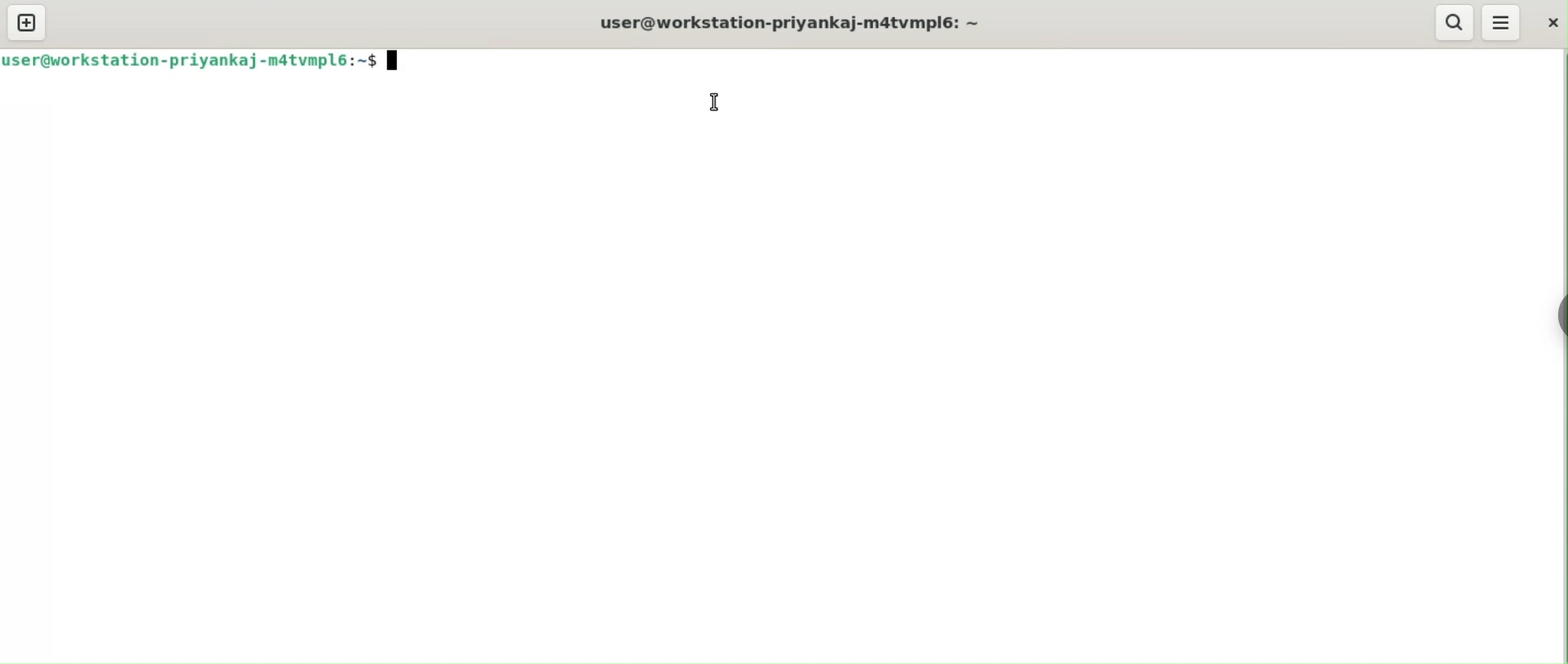  Describe the element at coordinates (1550, 23) in the screenshot. I see `close` at that location.